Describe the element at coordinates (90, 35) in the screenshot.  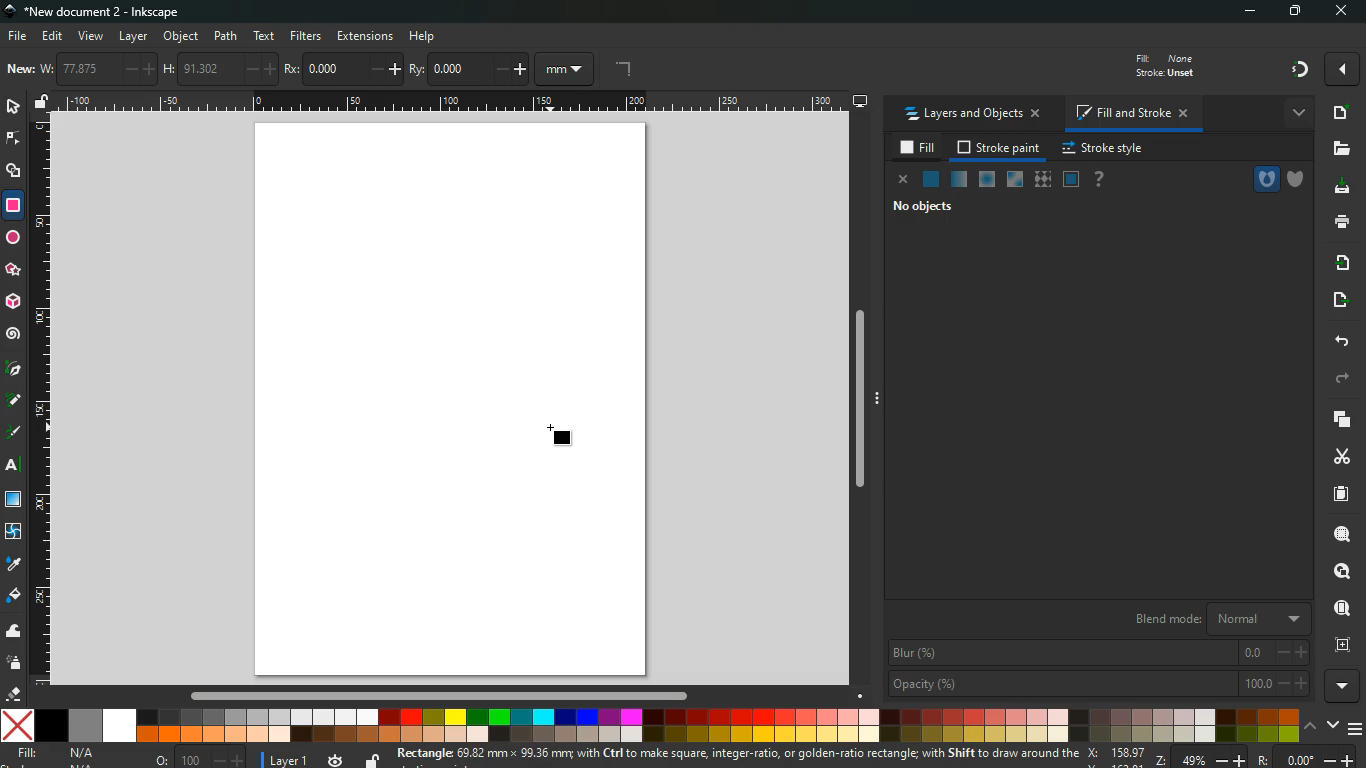
I see `view` at that location.